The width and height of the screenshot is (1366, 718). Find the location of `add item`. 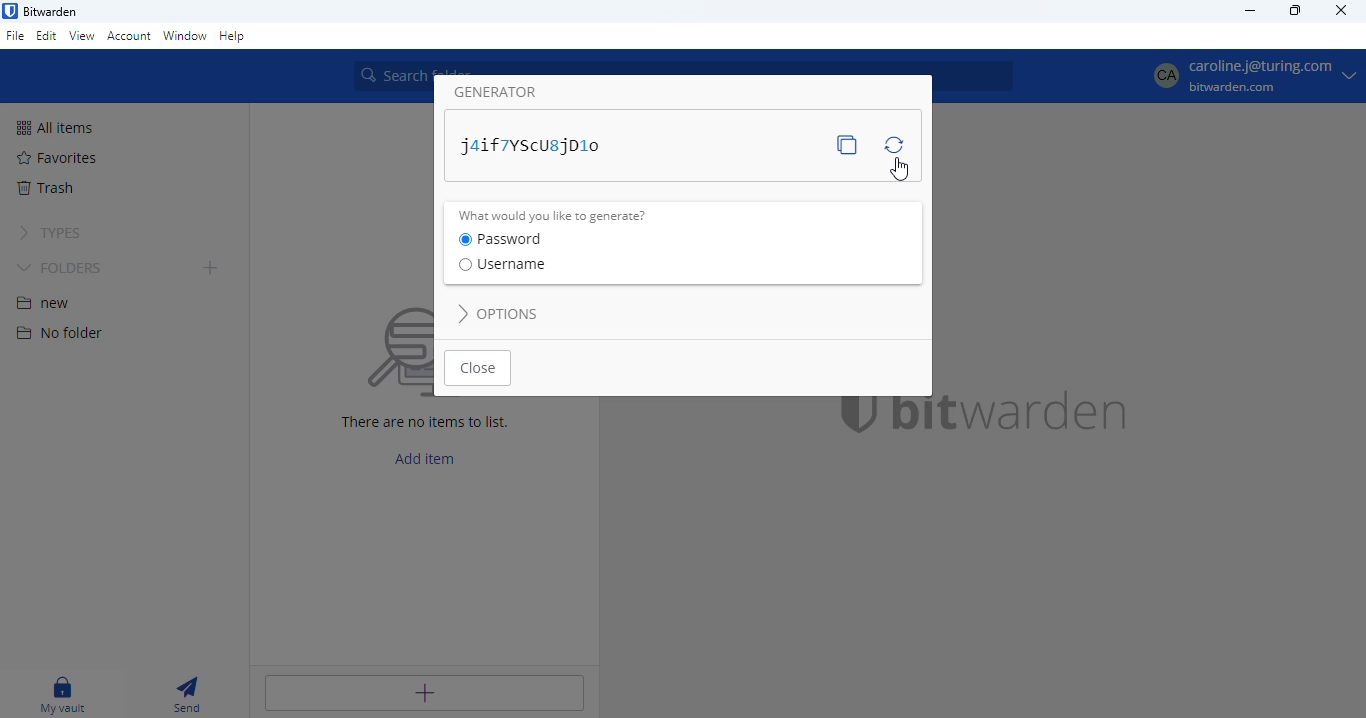

add item is located at coordinates (426, 458).